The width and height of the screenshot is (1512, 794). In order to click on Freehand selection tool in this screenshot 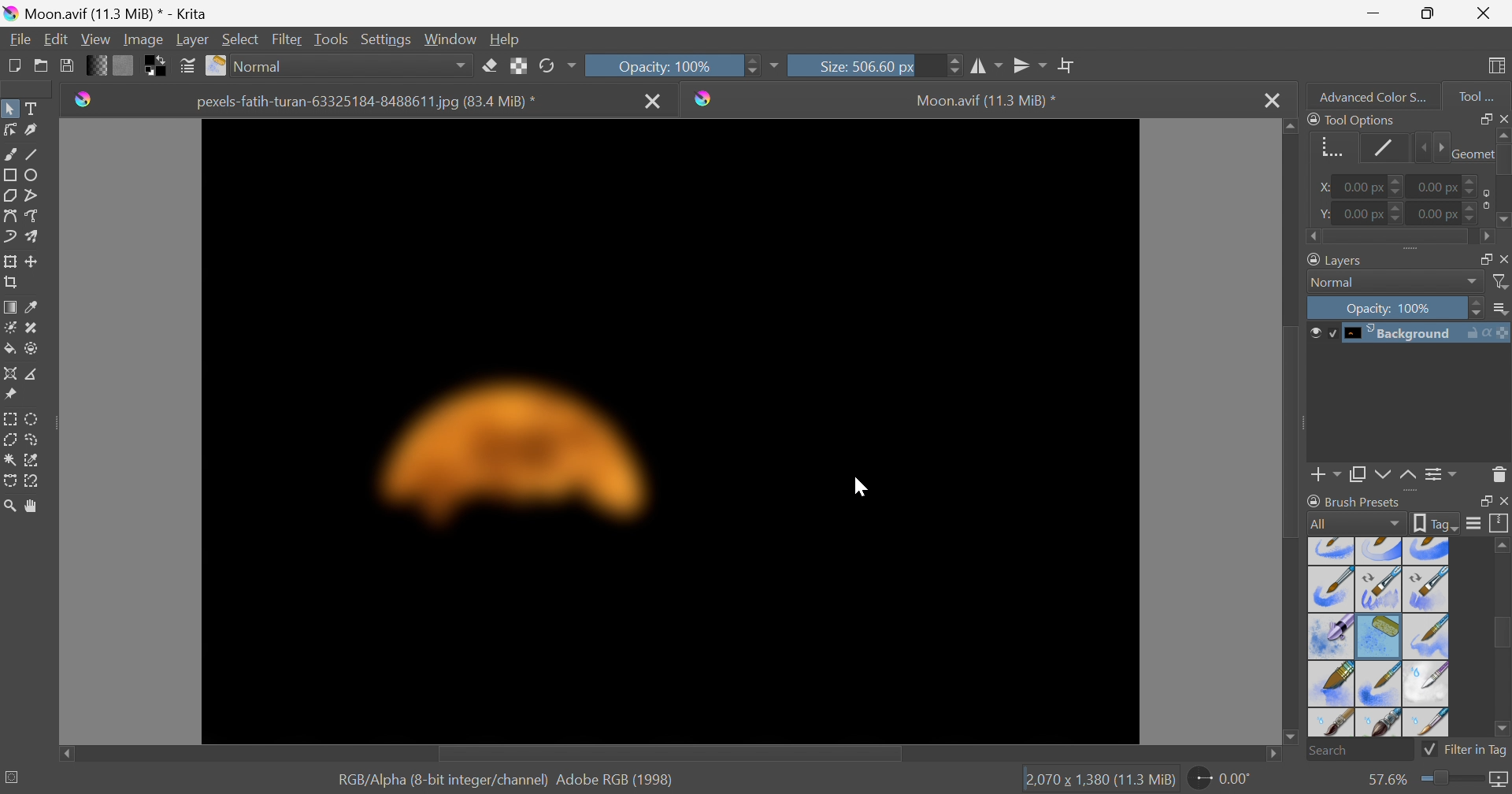, I will do `click(35, 439)`.